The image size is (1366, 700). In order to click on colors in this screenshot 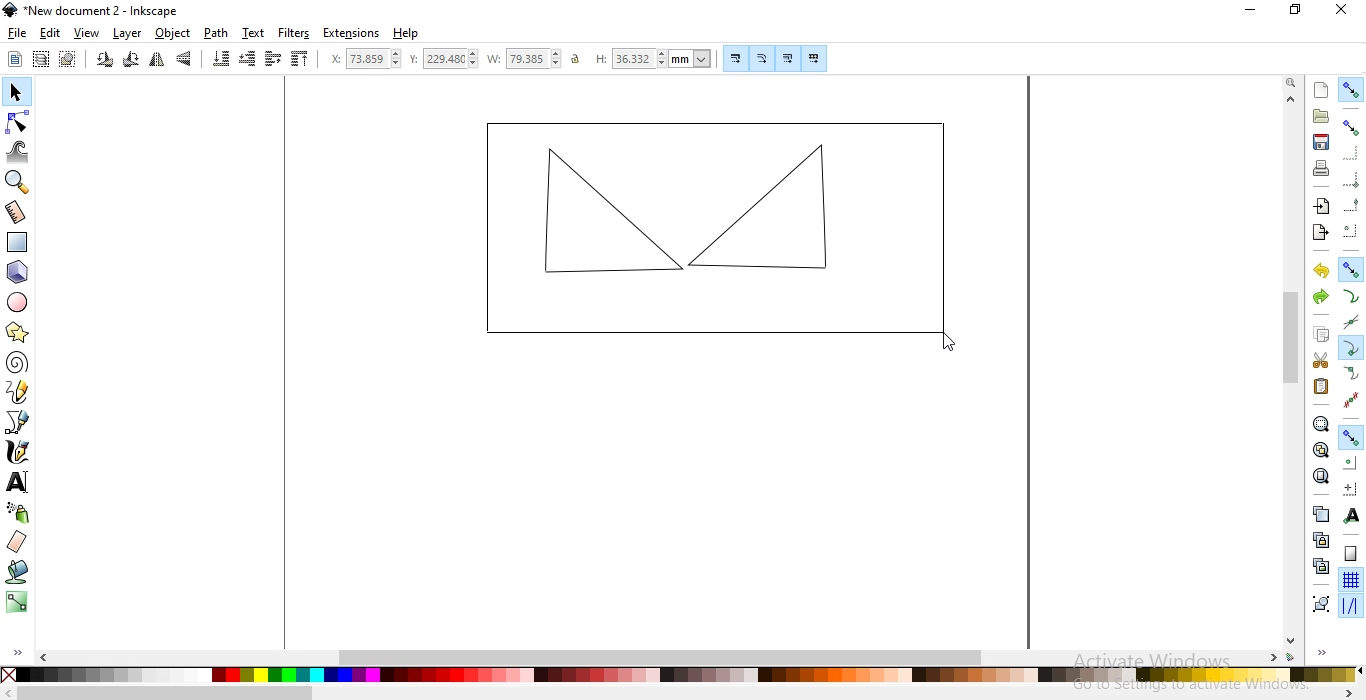, I will do `click(681, 676)`.